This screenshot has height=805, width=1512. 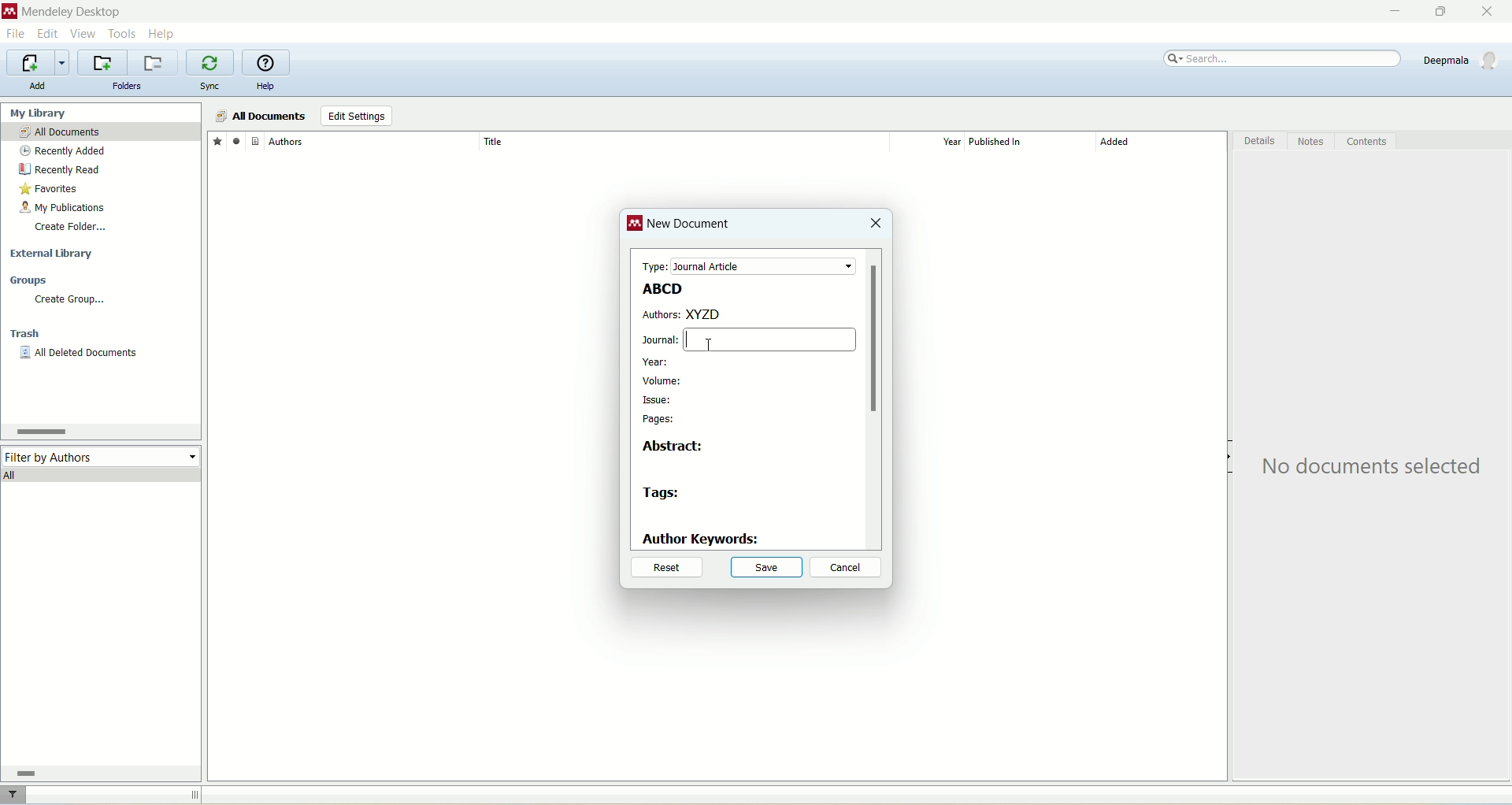 What do you see at coordinates (260, 117) in the screenshot?
I see `all documents` at bounding box center [260, 117].